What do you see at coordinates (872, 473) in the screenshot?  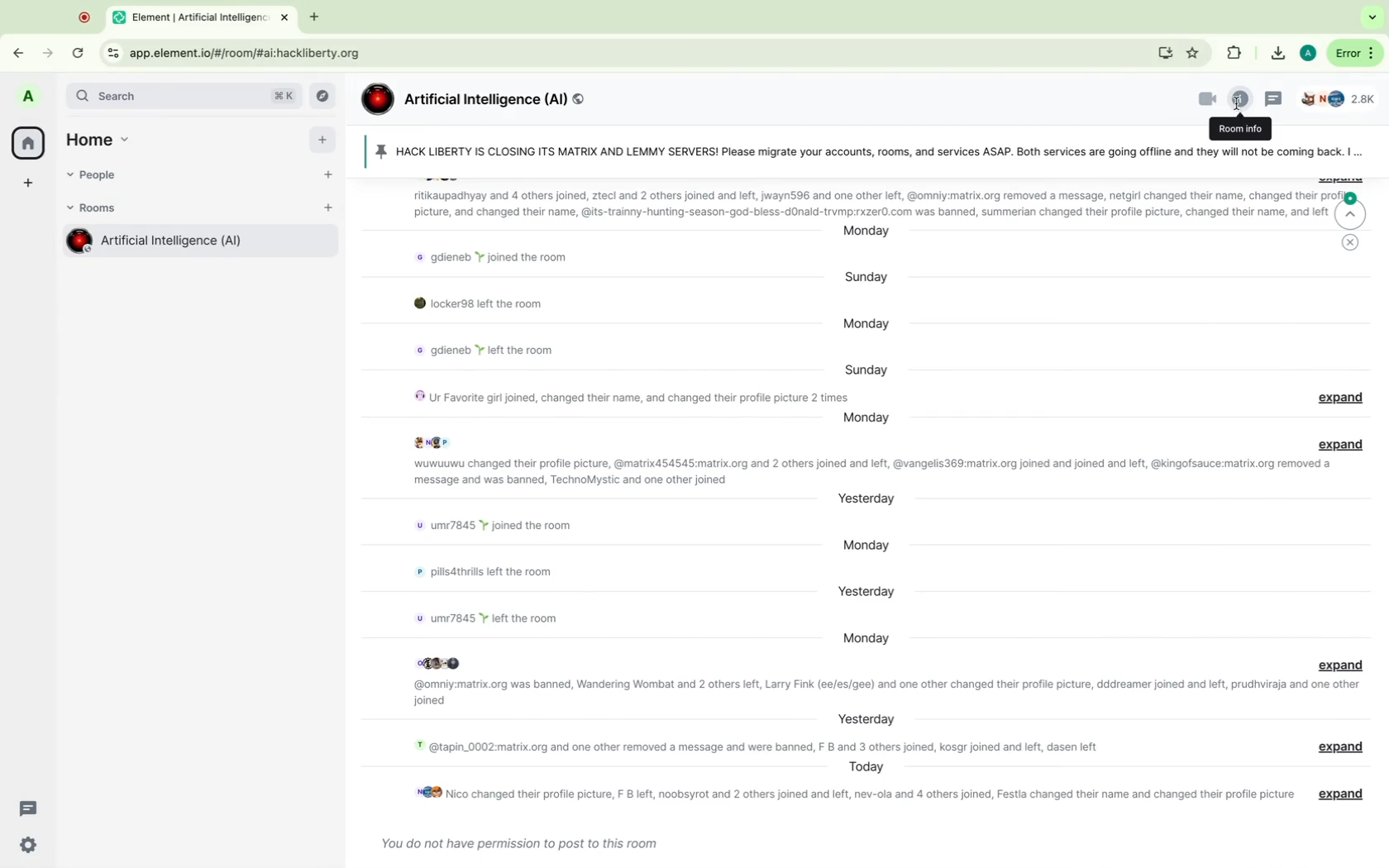 I see `message` at bounding box center [872, 473].